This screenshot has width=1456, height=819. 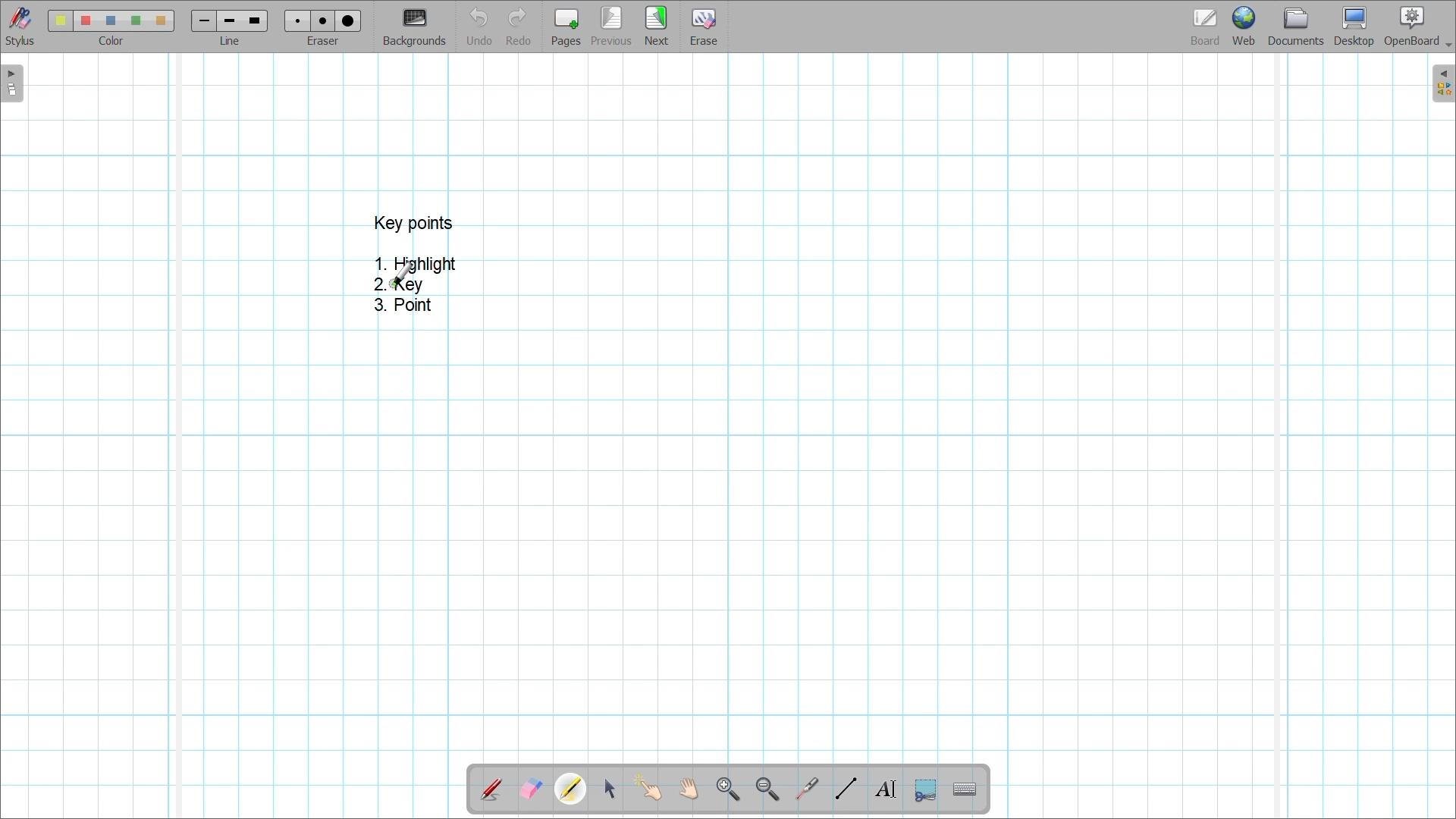 What do you see at coordinates (326, 42) in the screenshot?
I see `eraser` at bounding box center [326, 42].